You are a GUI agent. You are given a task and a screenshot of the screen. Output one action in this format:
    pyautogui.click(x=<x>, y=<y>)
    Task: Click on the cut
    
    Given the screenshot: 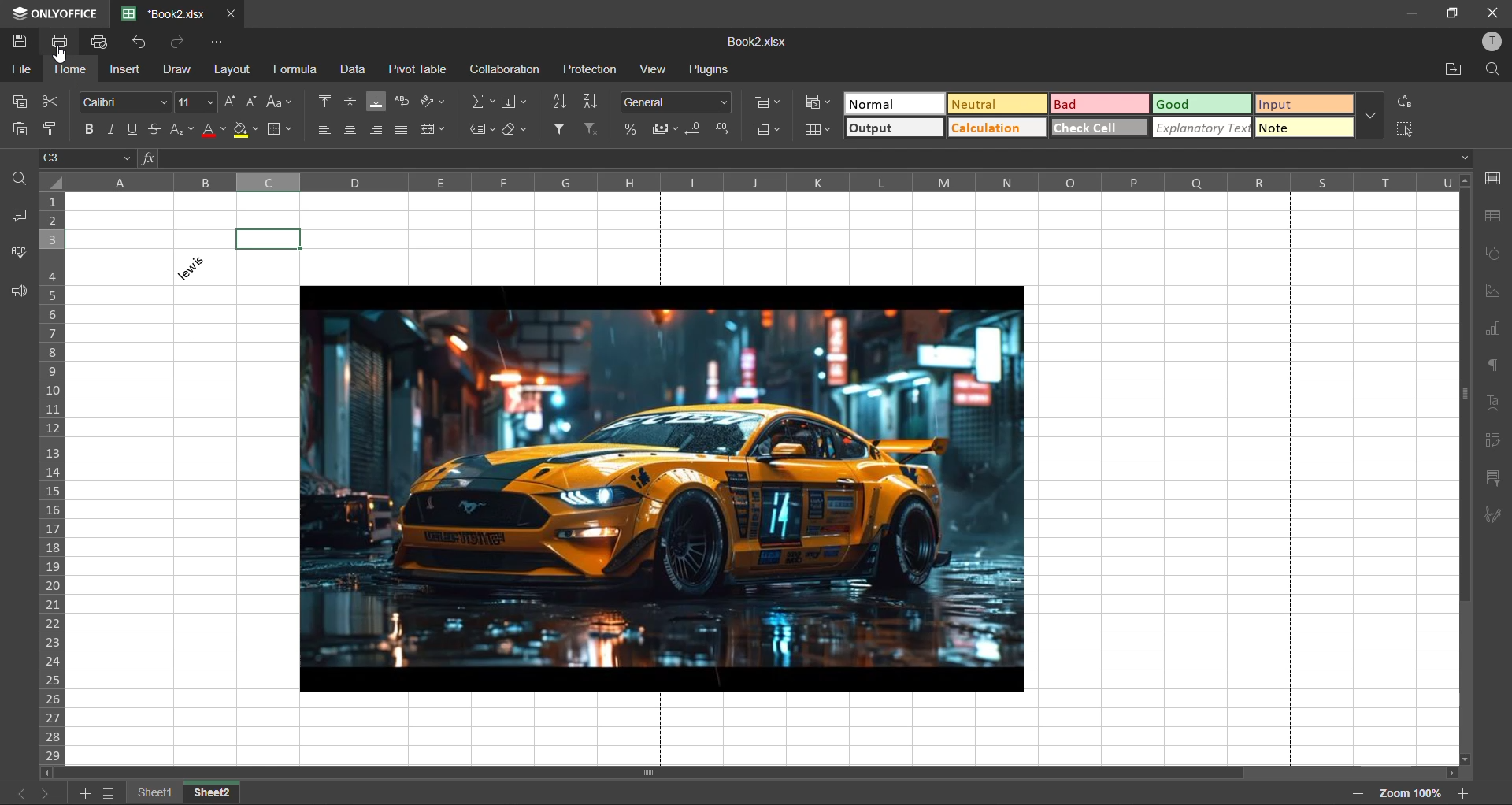 What is the action you would take?
    pyautogui.click(x=53, y=101)
    